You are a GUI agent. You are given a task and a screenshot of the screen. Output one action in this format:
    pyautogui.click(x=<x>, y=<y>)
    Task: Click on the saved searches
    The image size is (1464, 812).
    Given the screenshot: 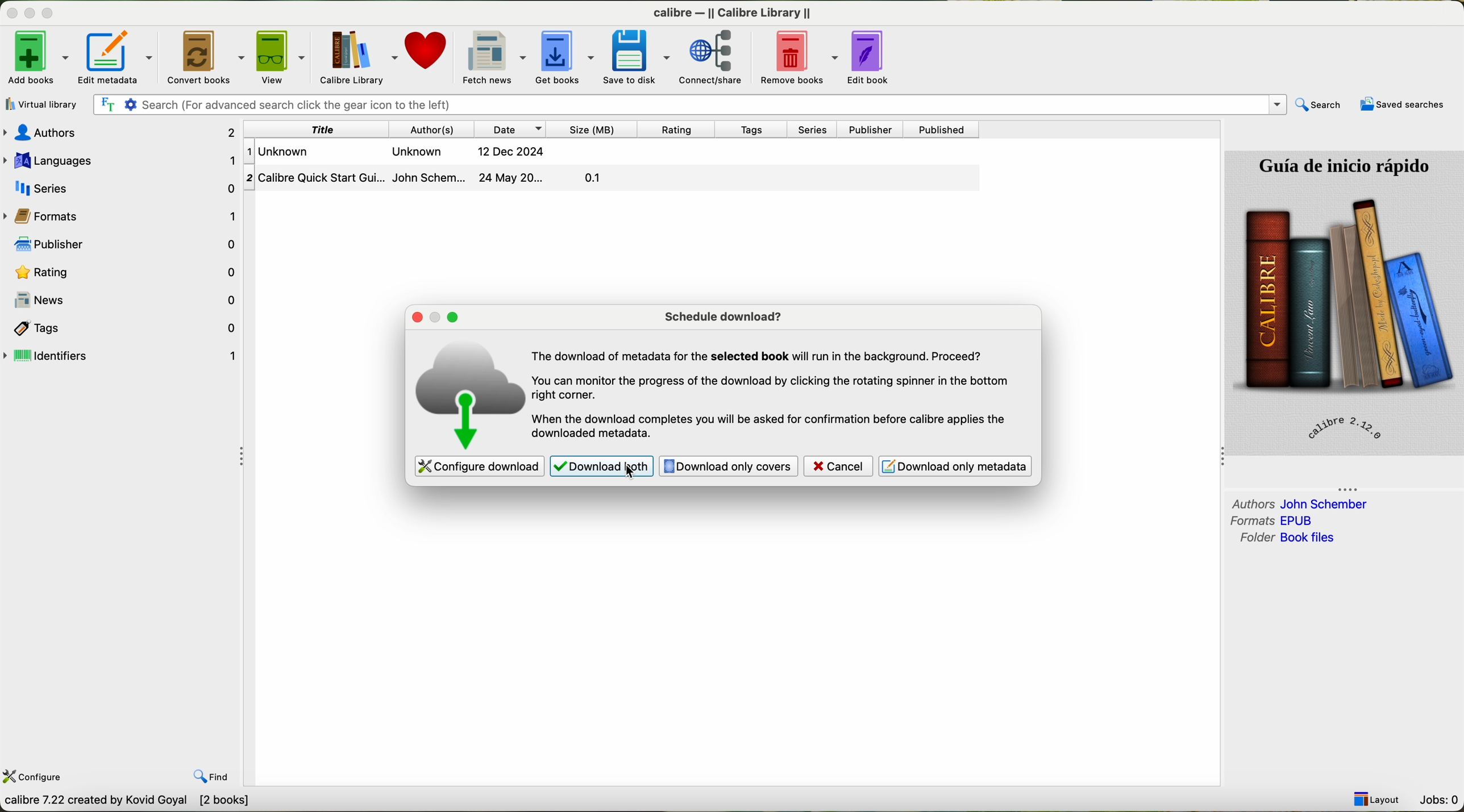 What is the action you would take?
    pyautogui.click(x=1401, y=106)
    